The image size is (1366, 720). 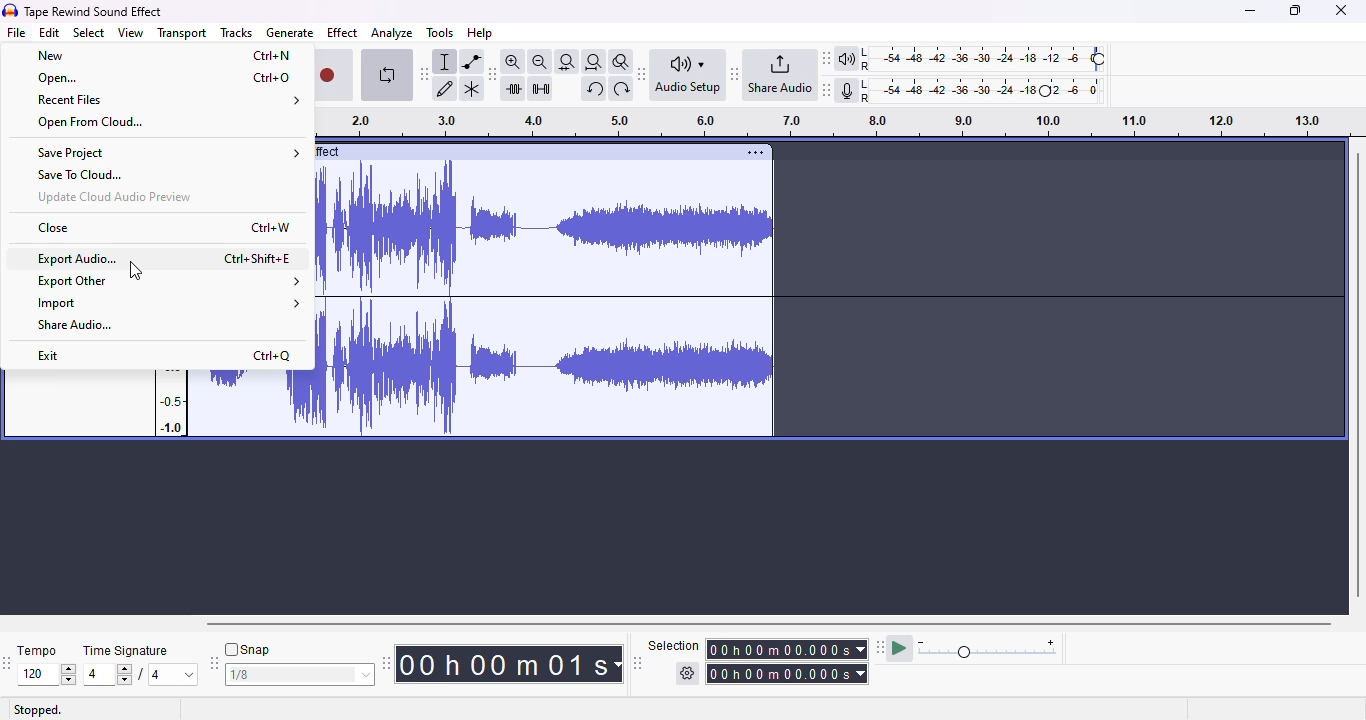 What do you see at coordinates (143, 666) in the screenshot?
I see `time signature` at bounding box center [143, 666].